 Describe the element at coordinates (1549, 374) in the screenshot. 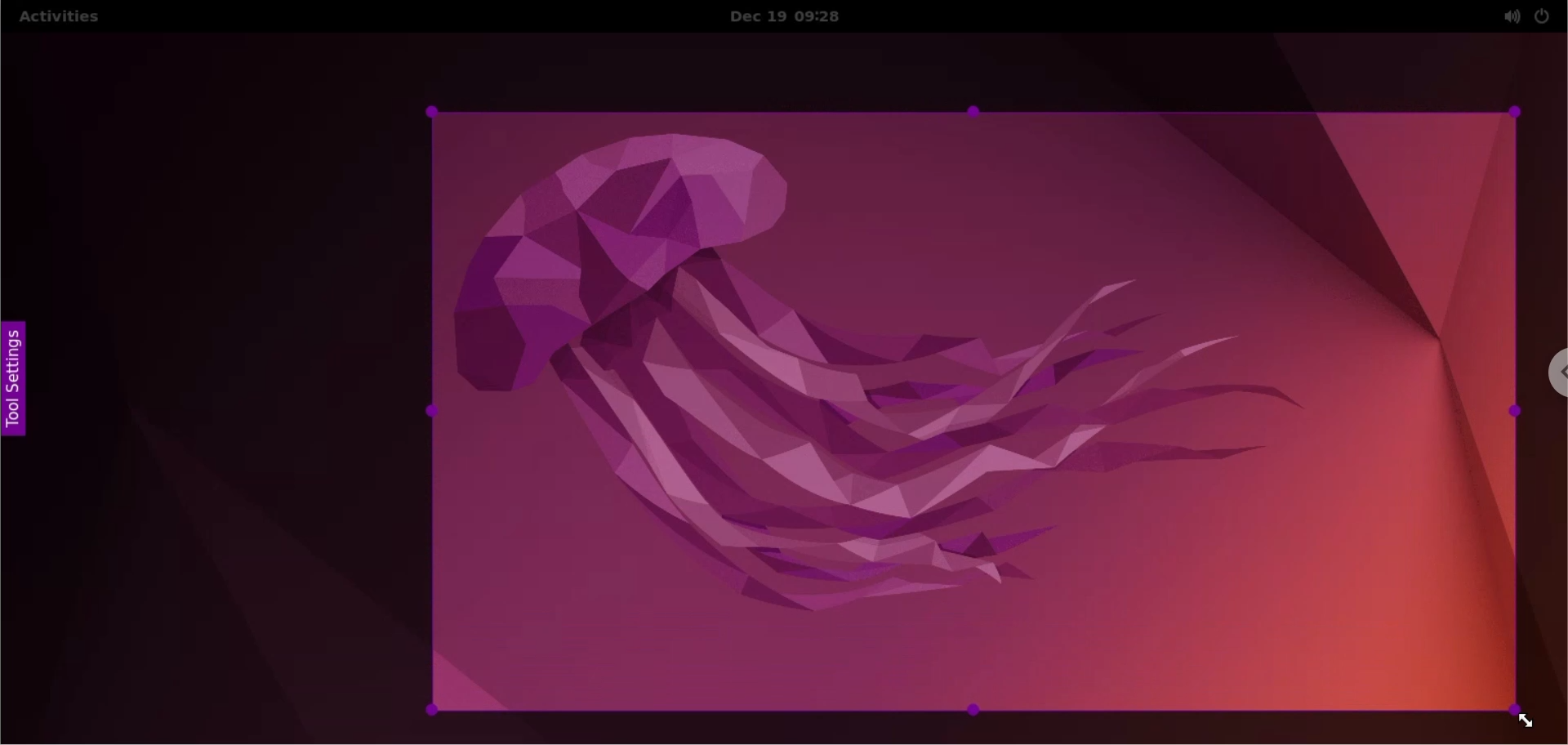

I see `chrome options` at that location.